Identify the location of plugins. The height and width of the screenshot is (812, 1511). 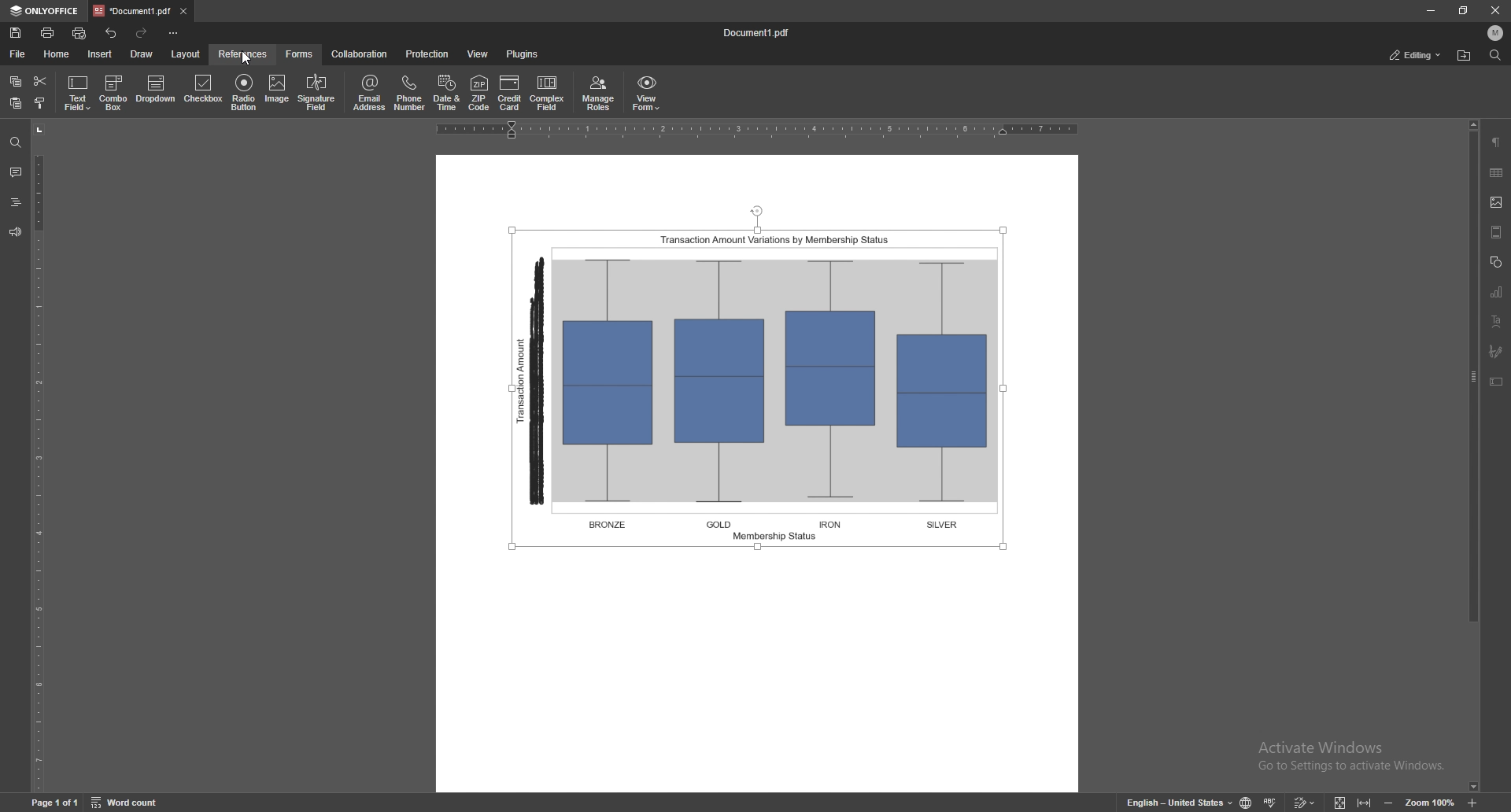
(521, 54).